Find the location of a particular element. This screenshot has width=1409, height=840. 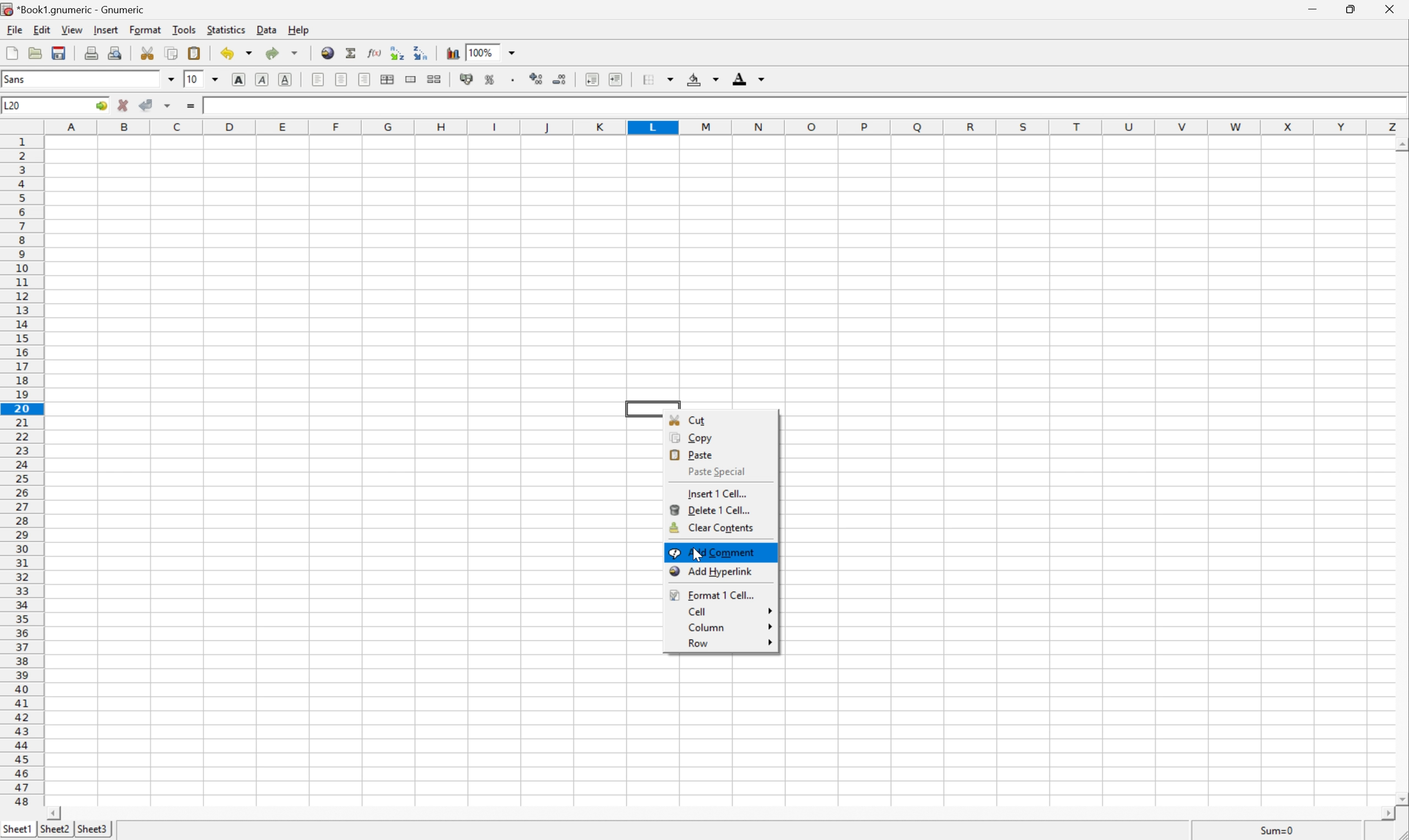

Clear contents is located at coordinates (712, 528).